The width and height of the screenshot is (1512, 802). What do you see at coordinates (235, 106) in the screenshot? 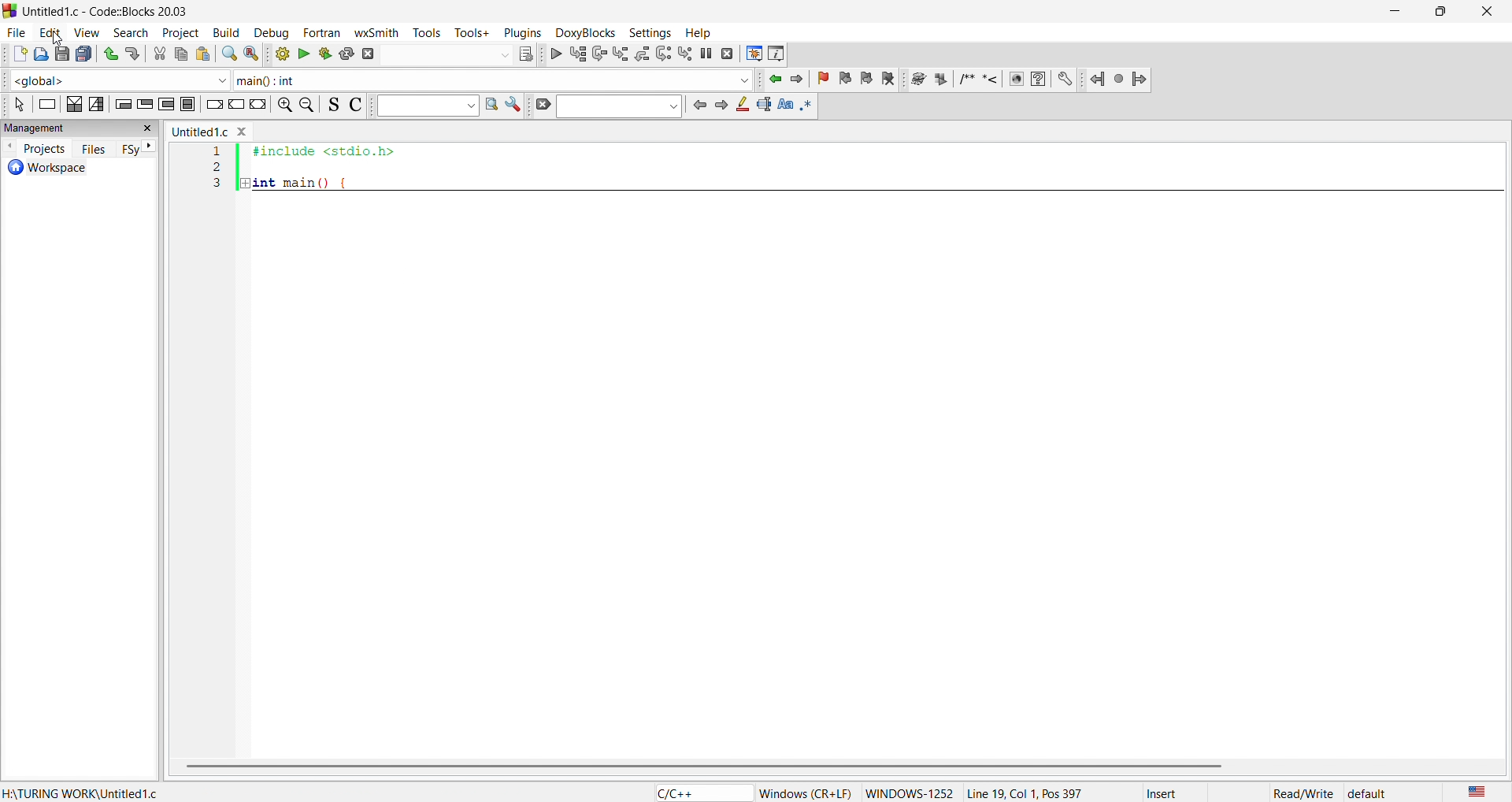
I see `continue instruction` at bounding box center [235, 106].